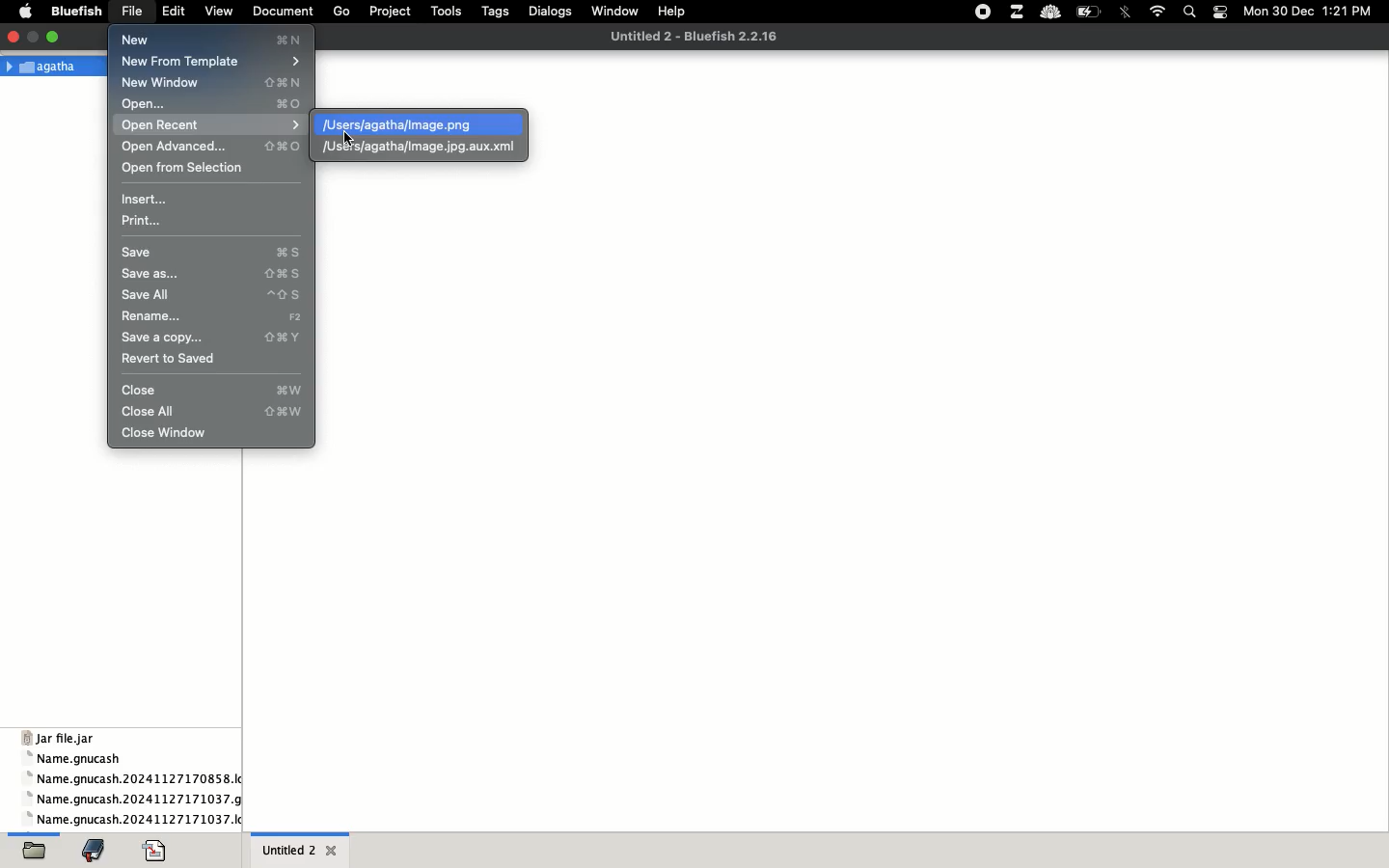 This screenshot has height=868, width=1389. Describe the element at coordinates (342, 13) in the screenshot. I see `go` at that location.